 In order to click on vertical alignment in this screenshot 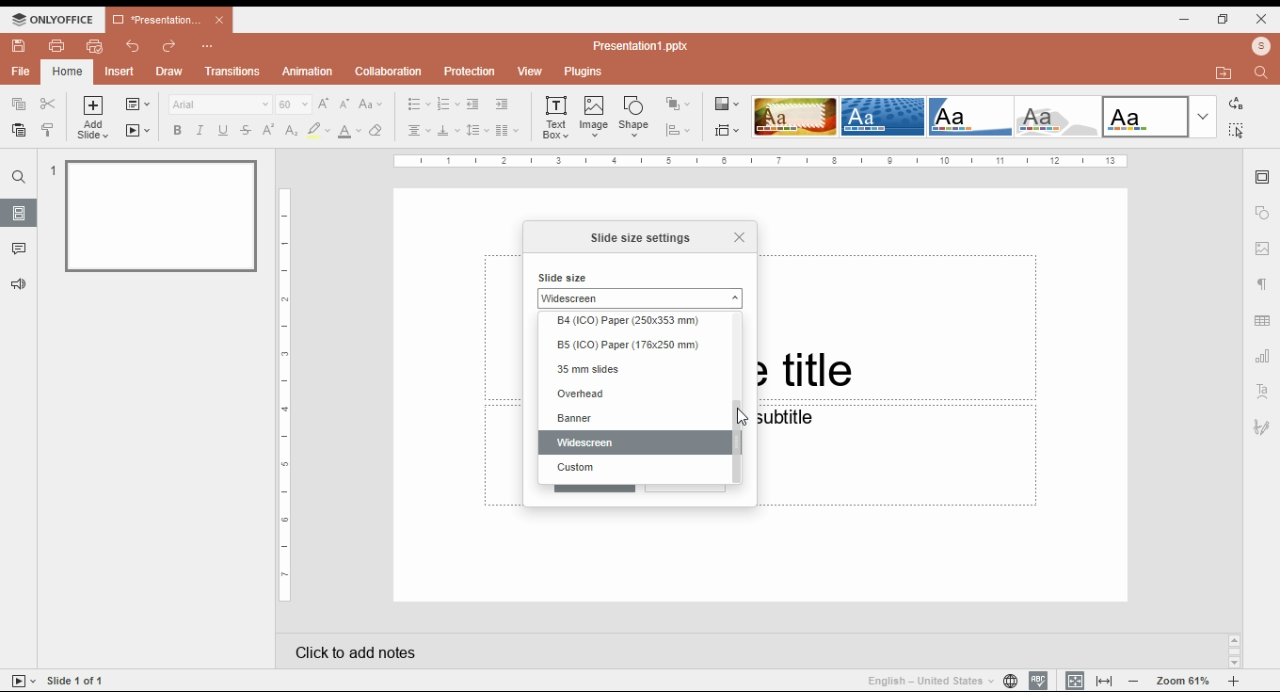, I will do `click(448, 133)`.